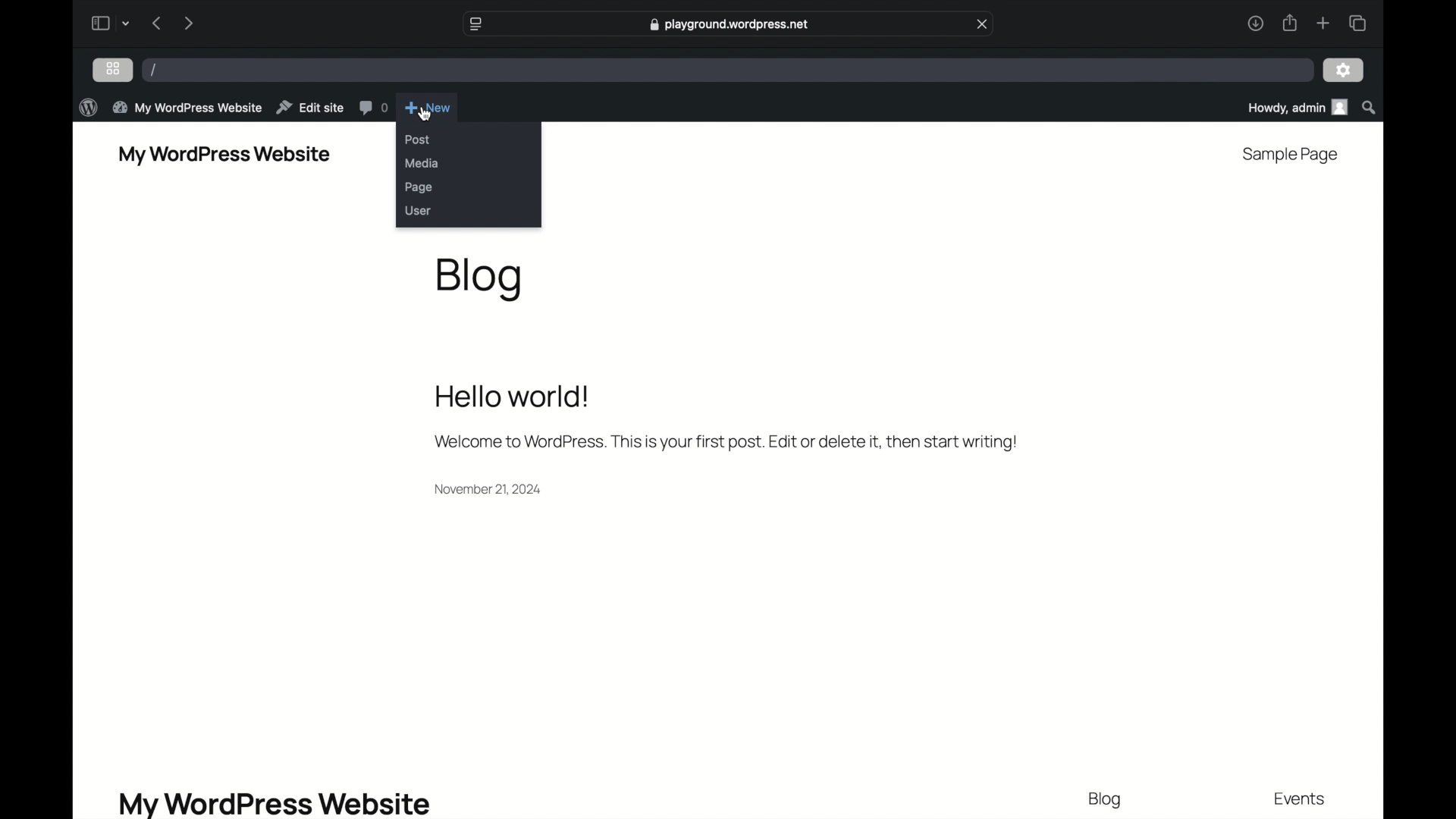 The width and height of the screenshot is (1456, 819). What do you see at coordinates (1291, 23) in the screenshot?
I see `share` at bounding box center [1291, 23].